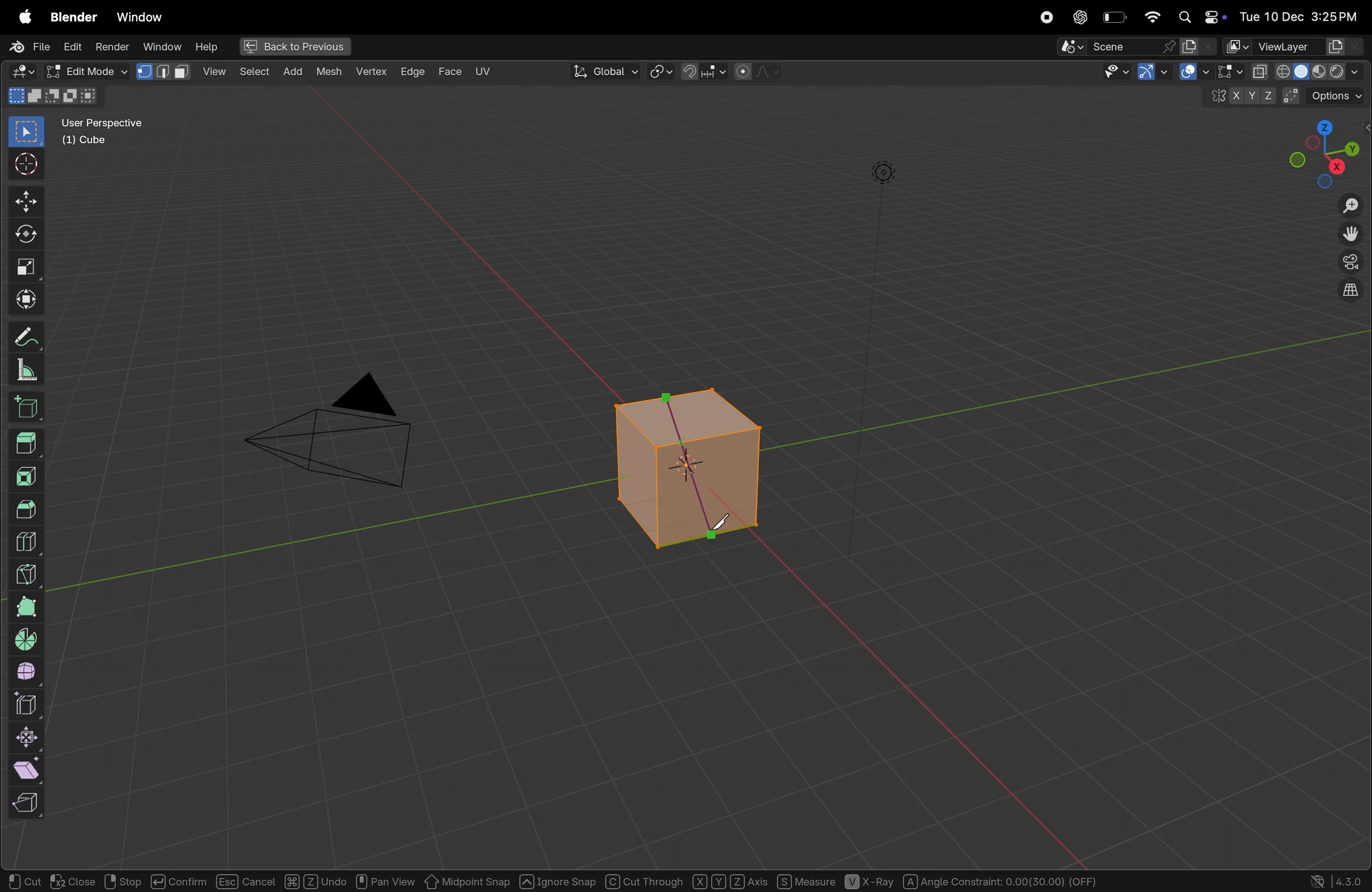  I want to click on measure, so click(27, 372).